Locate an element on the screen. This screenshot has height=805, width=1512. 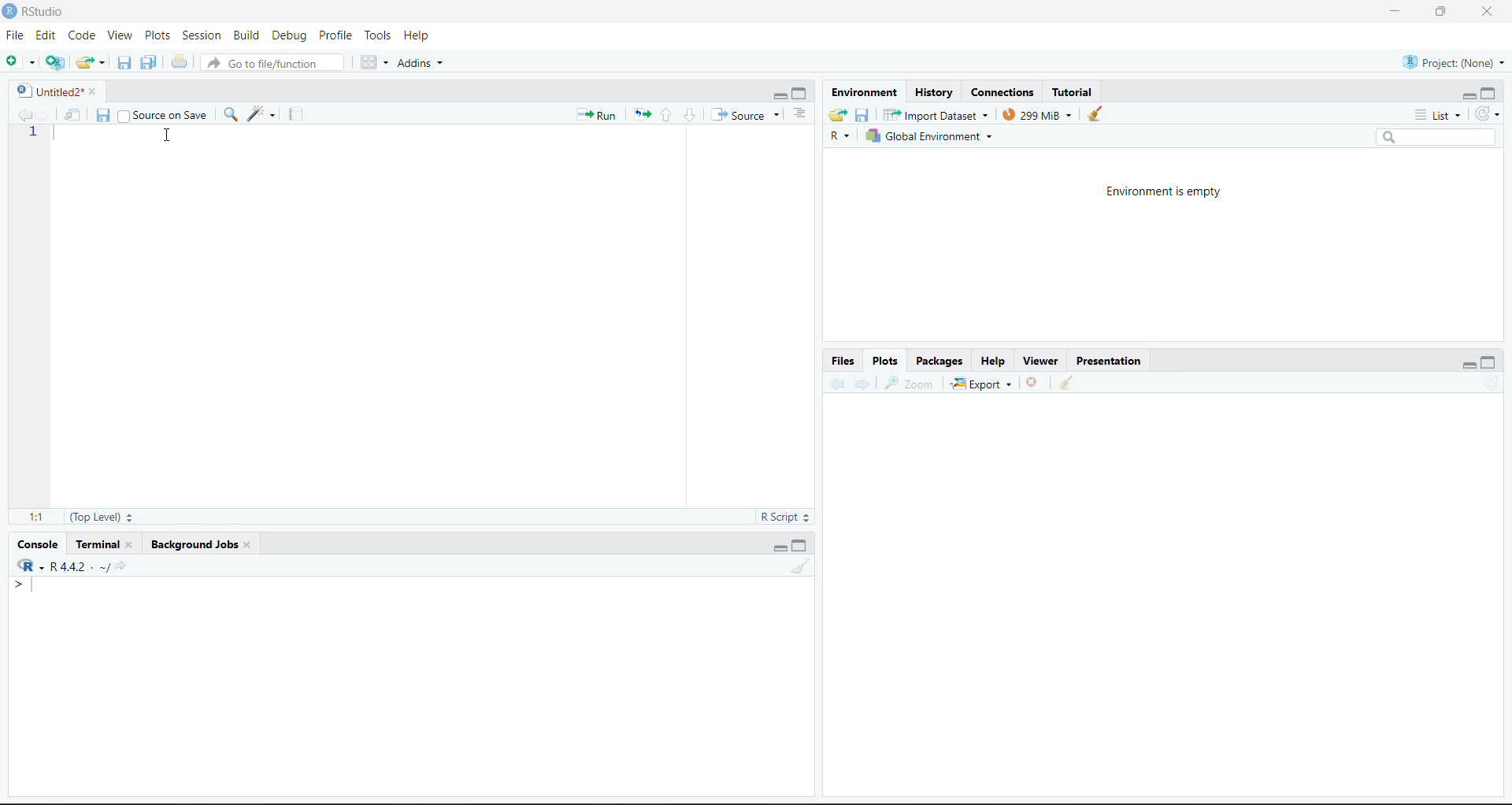
minimize is located at coordinates (778, 95).